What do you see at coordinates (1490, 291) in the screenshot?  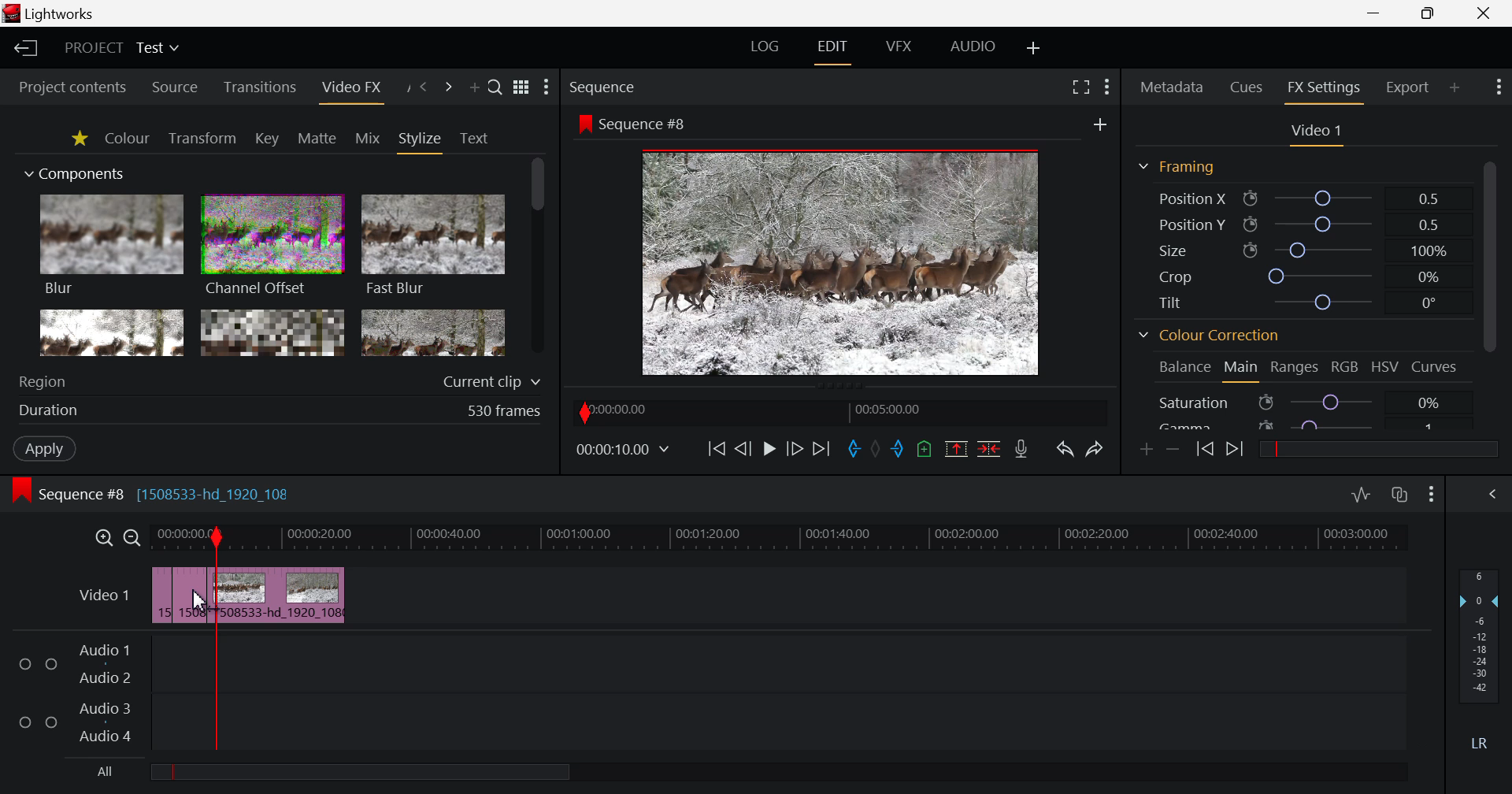 I see `Scroll Bar` at bounding box center [1490, 291].